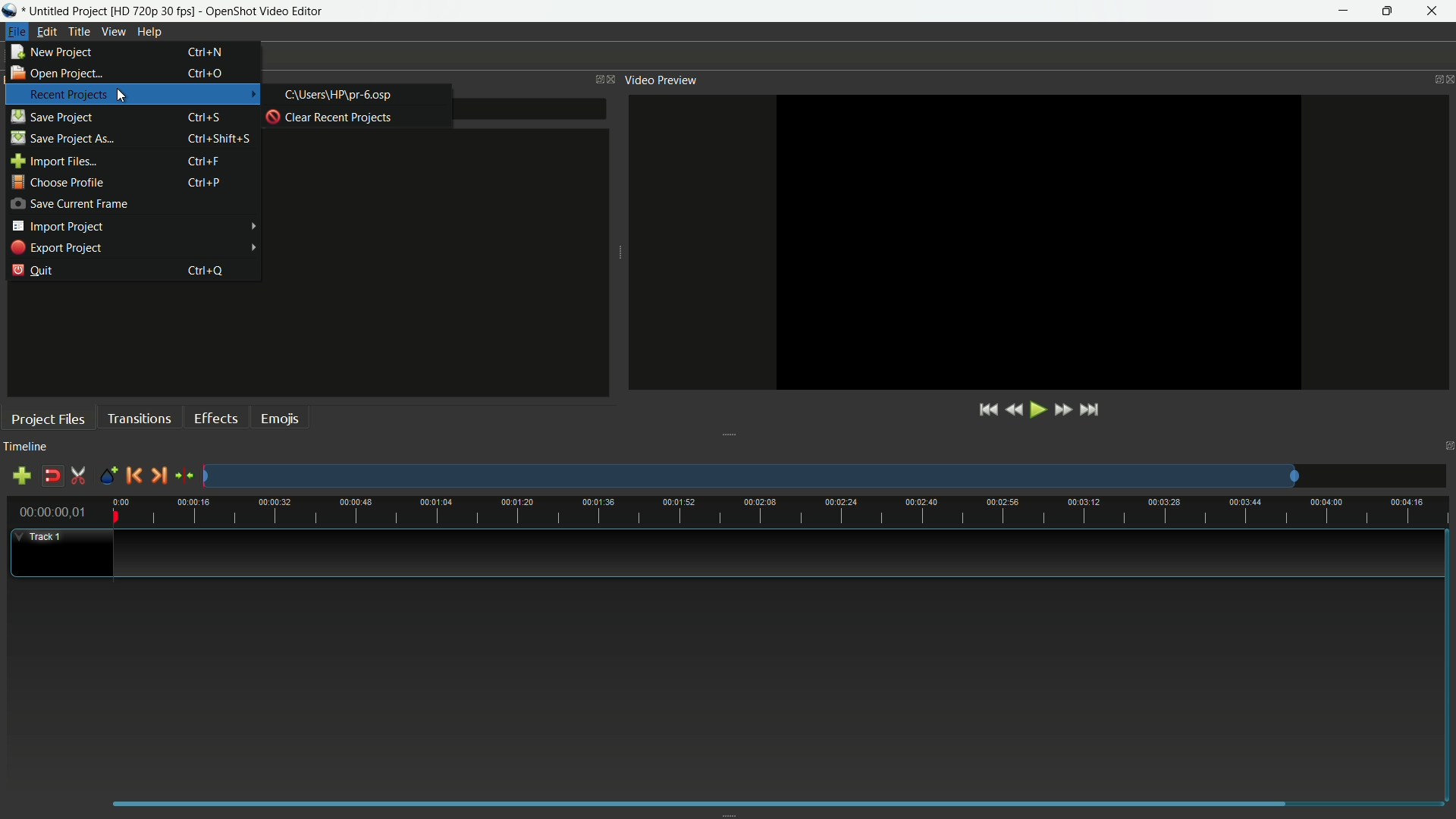 The height and width of the screenshot is (819, 1456). What do you see at coordinates (1012, 411) in the screenshot?
I see `rewind` at bounding box center [1012, 411].